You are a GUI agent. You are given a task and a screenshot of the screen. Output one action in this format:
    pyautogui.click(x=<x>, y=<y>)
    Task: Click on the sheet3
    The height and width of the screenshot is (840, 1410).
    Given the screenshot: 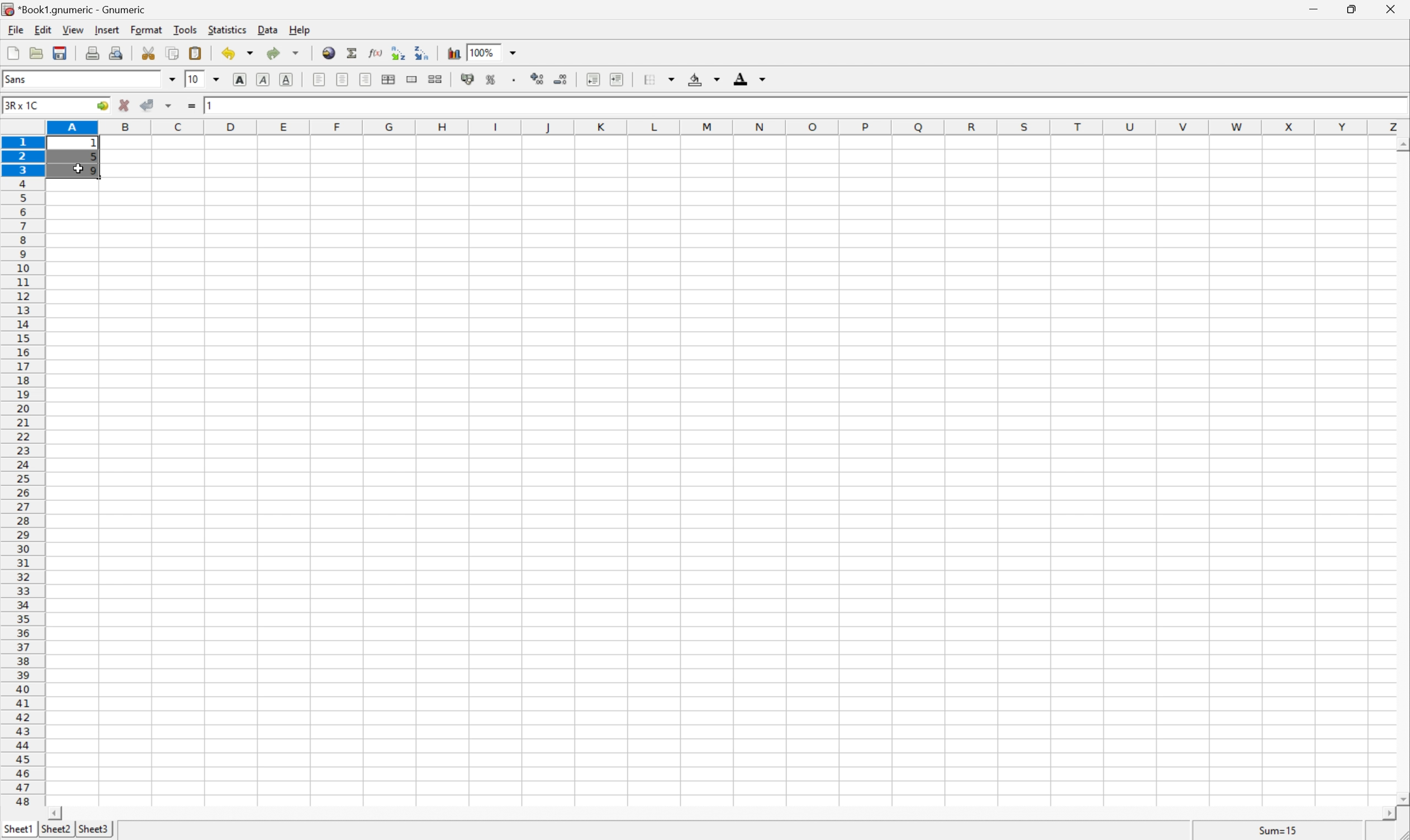 What is the action you would take?
    pyautogui.click(x=93, y=830)
    